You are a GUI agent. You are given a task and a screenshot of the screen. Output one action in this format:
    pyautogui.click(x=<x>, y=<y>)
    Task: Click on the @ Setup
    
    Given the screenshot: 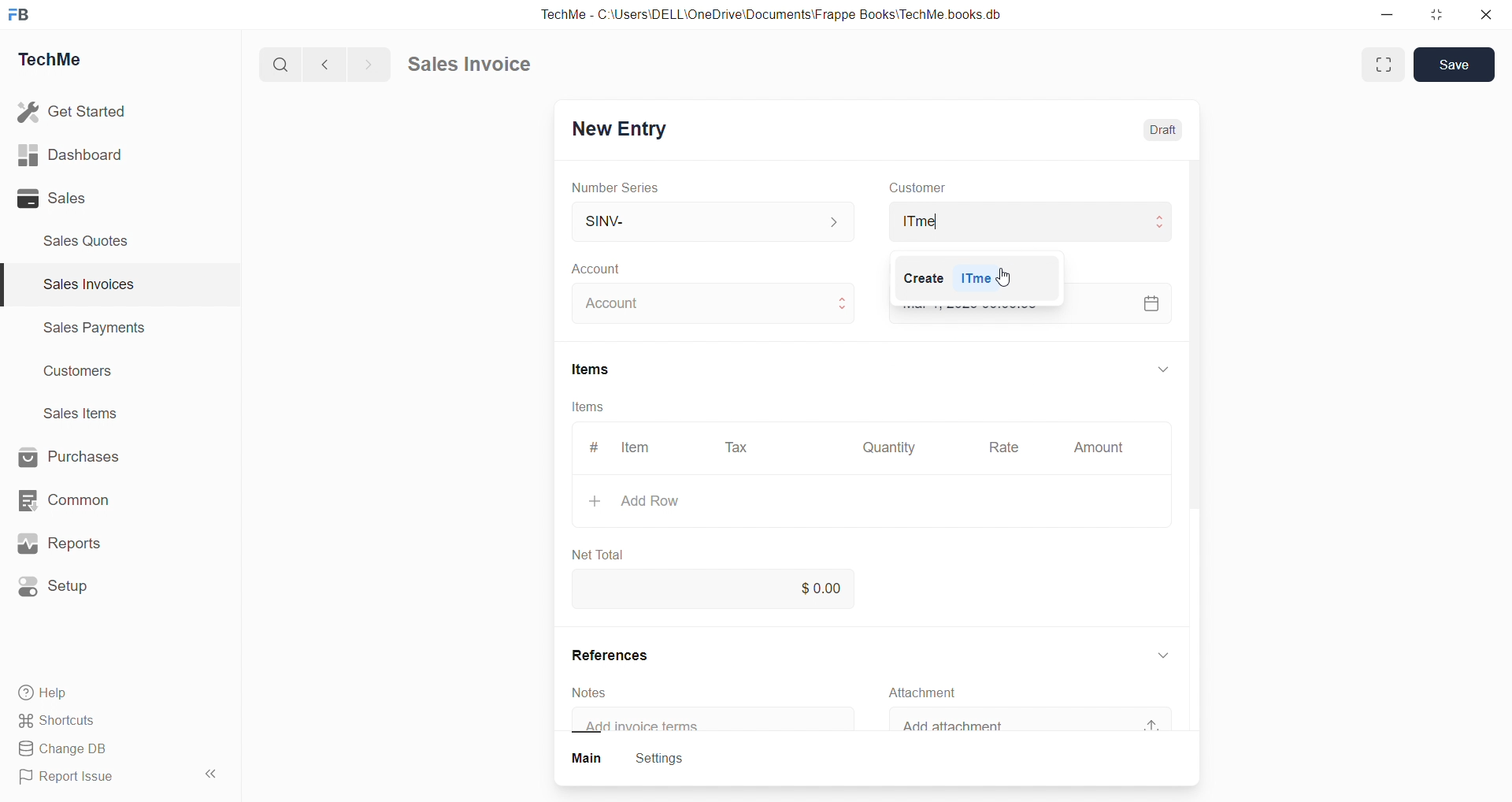 What is the action you would take?
    pyautogui.click(x=62, y=592)
    